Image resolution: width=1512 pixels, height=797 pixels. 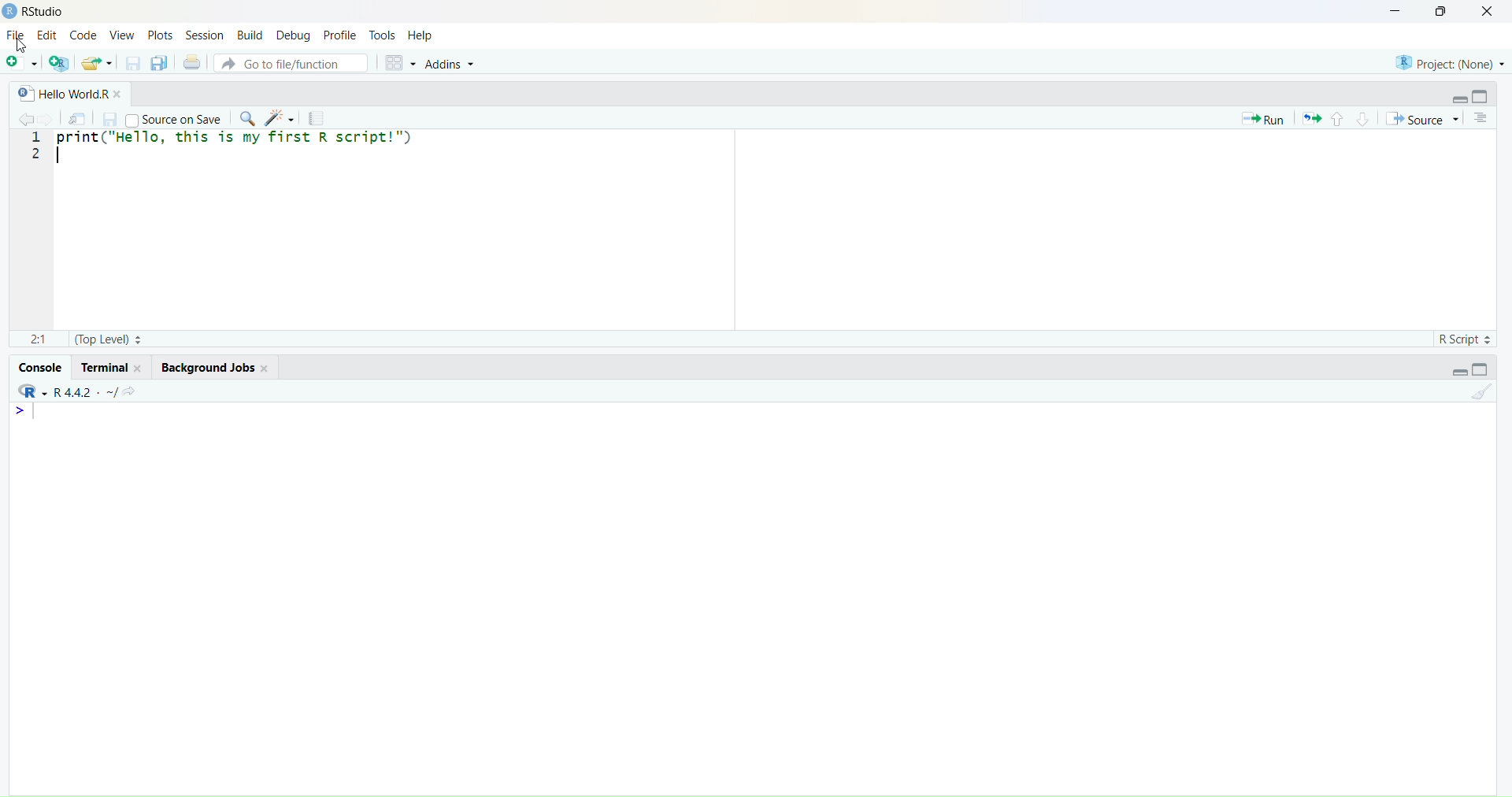 I want to click on Addins, so click(x=451, y=64).